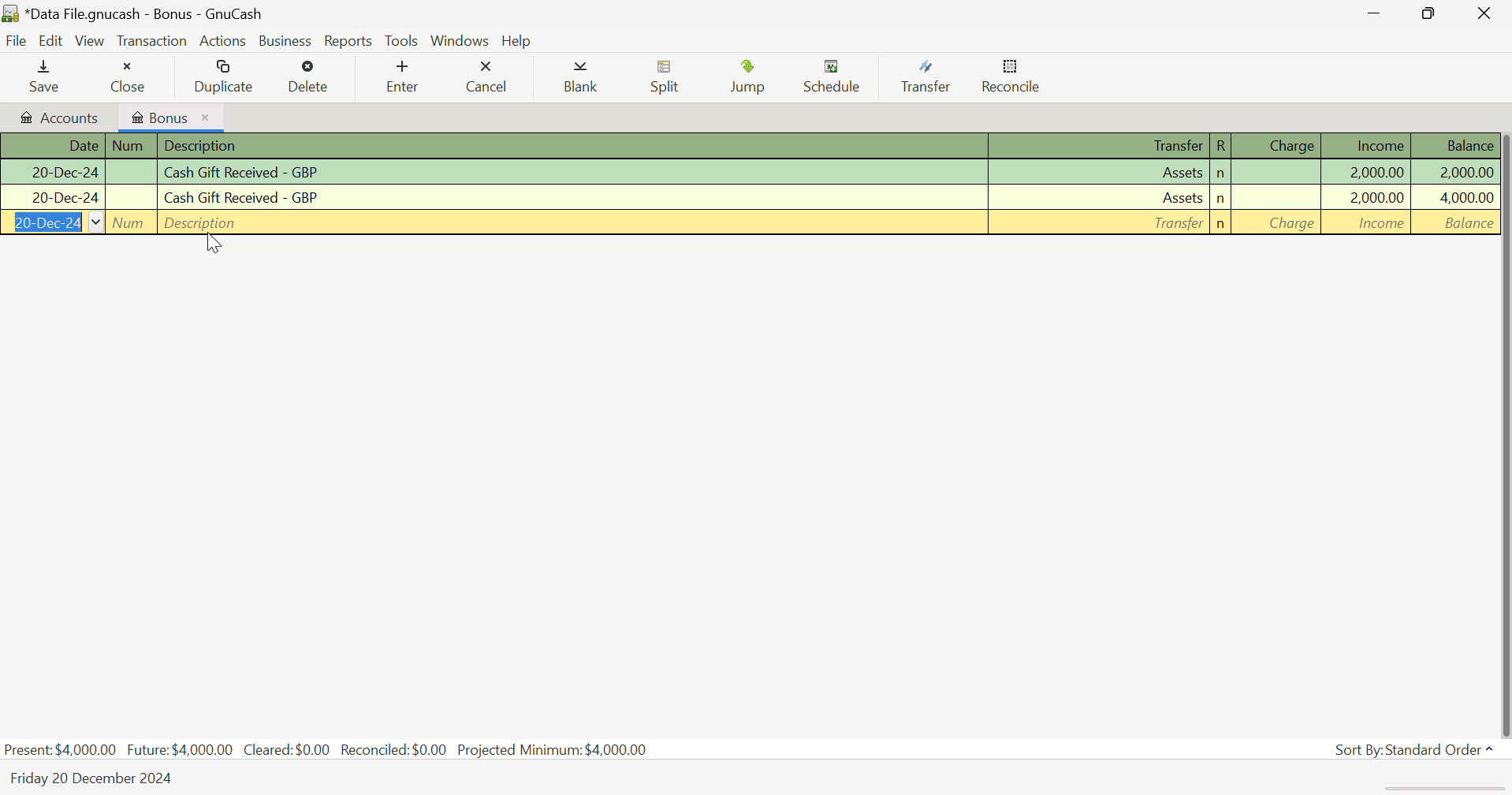 Image resolution: width=1512 pixels, height=795 pixels. What do you see at coordinates (1488, 12) in the screenshot?
I see `Close Window` at bounding box center [1488, 12].